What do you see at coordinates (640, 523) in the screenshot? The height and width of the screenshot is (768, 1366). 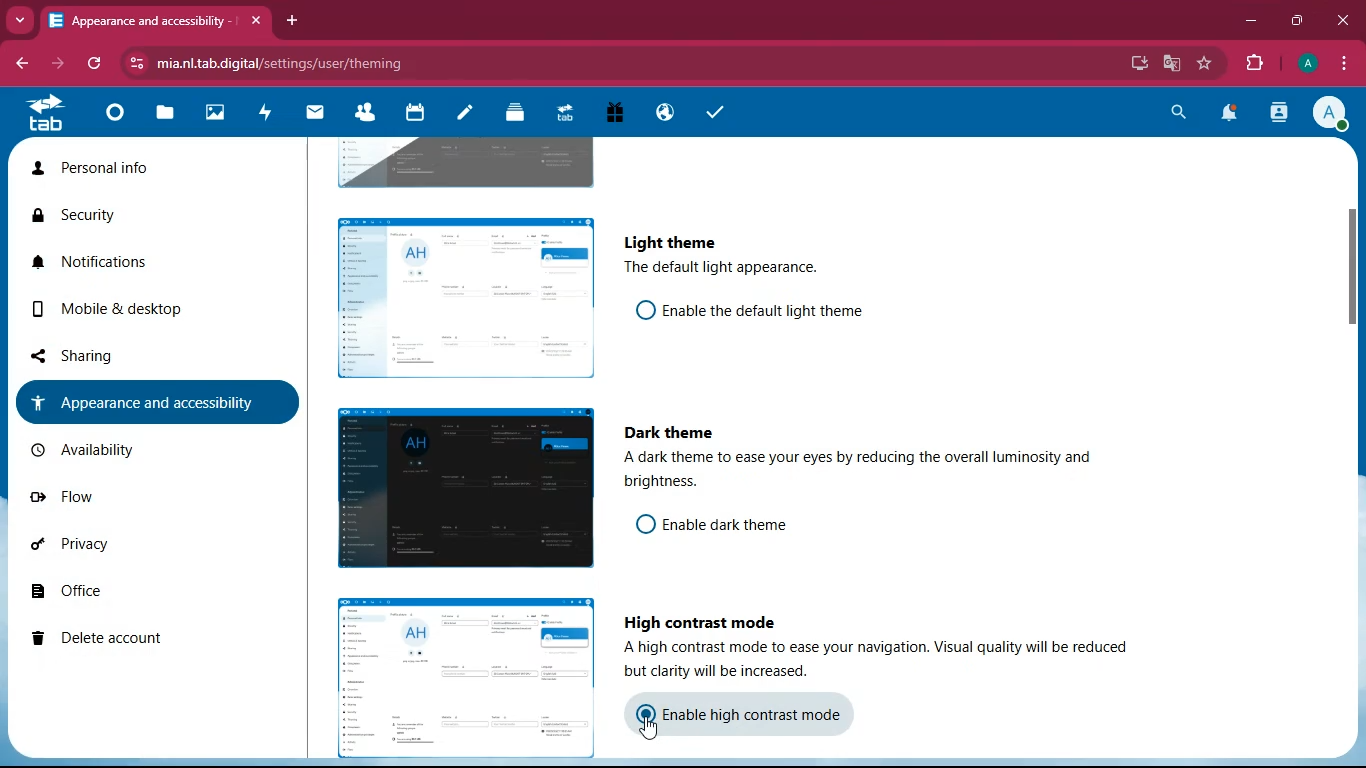 I see `on/off button` at bounding box center [640, 523].